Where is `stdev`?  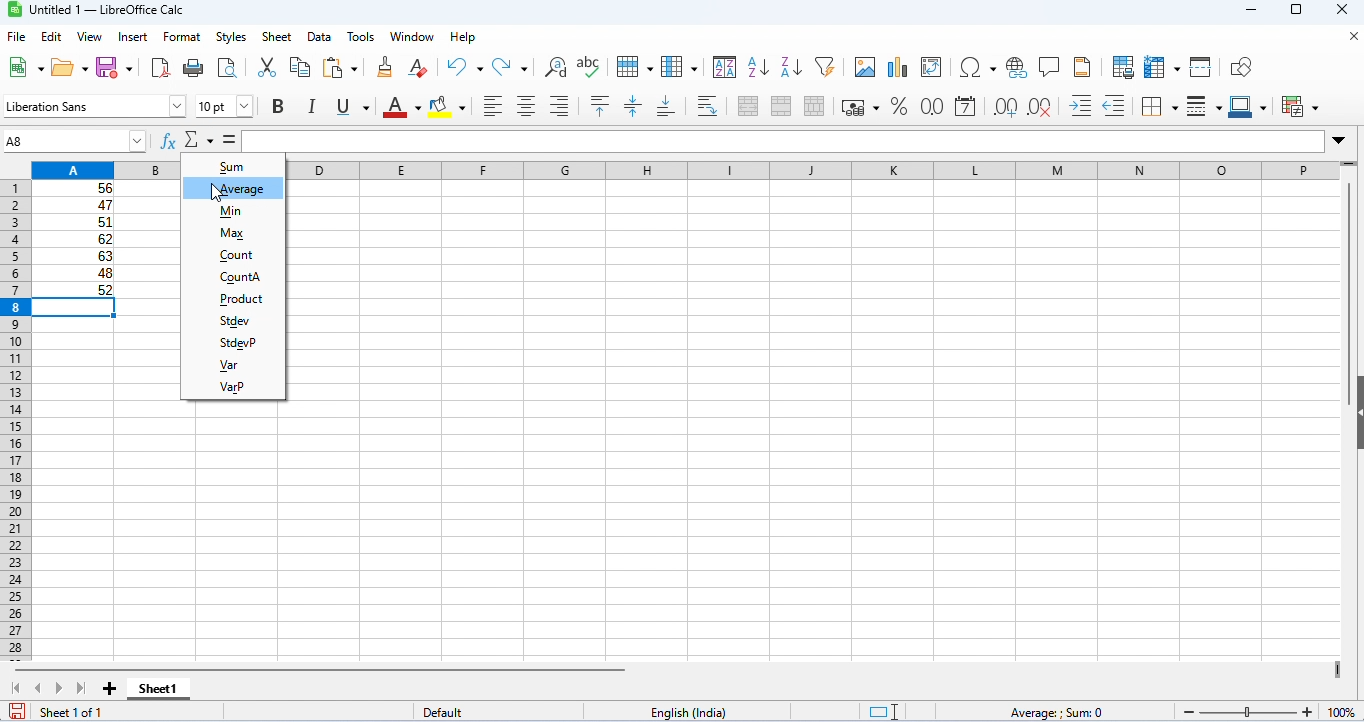
stdev is located at coordinates (234, 321).